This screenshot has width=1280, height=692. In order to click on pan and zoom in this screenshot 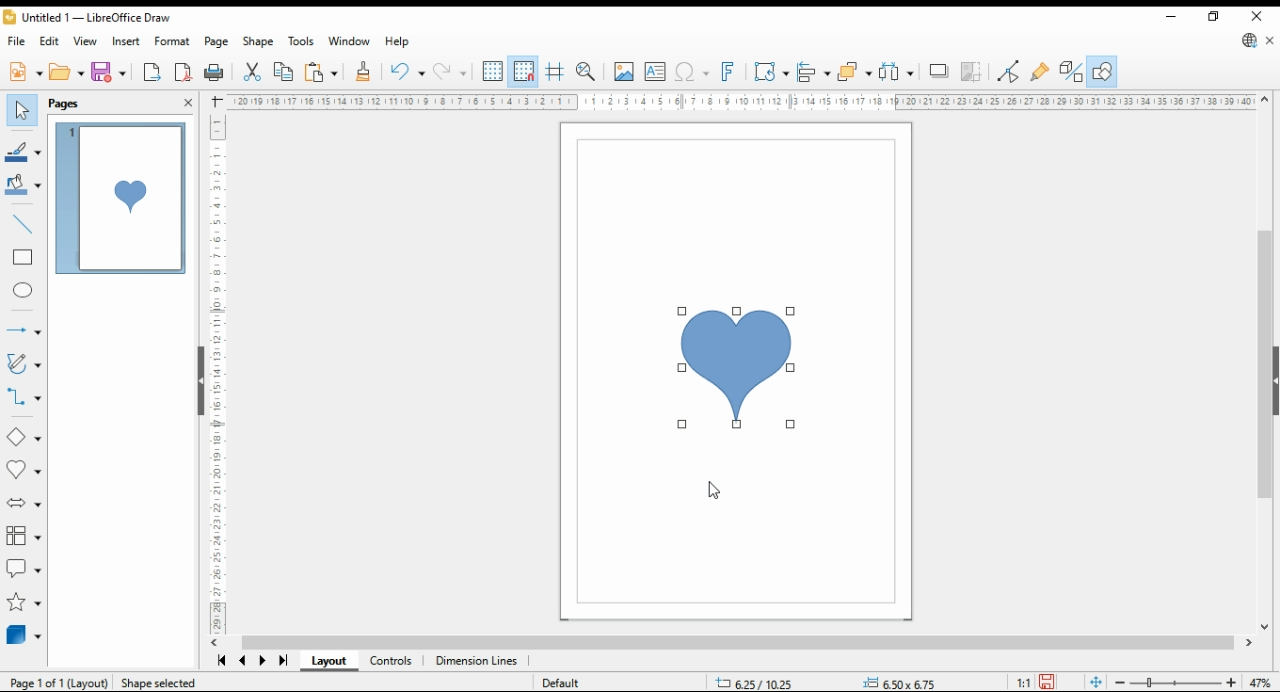, I will do `click(587, 72)`.